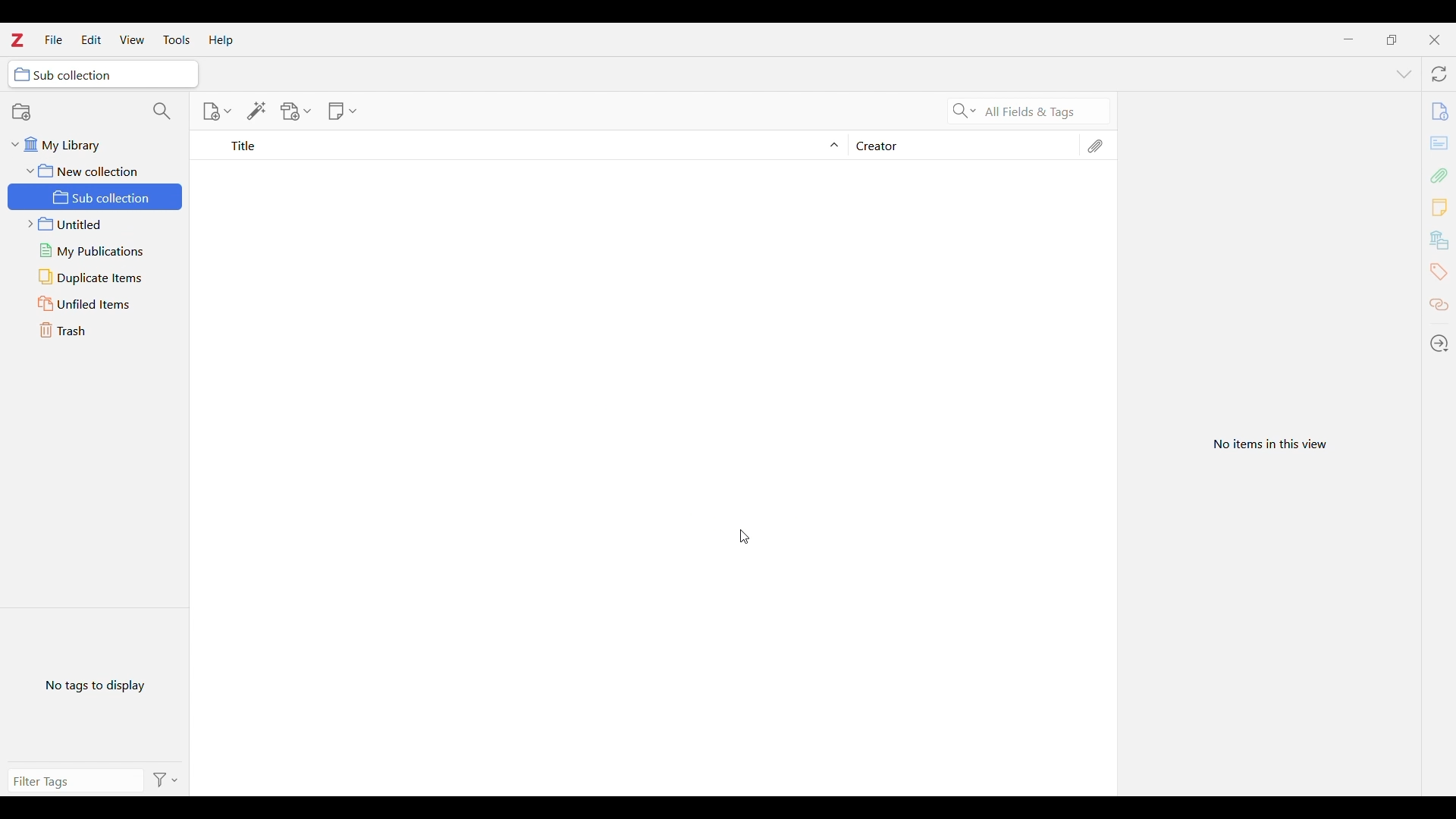 The height and width of the screenshot is (819, 1456). I want to click on My library folder, so click(96, 145).